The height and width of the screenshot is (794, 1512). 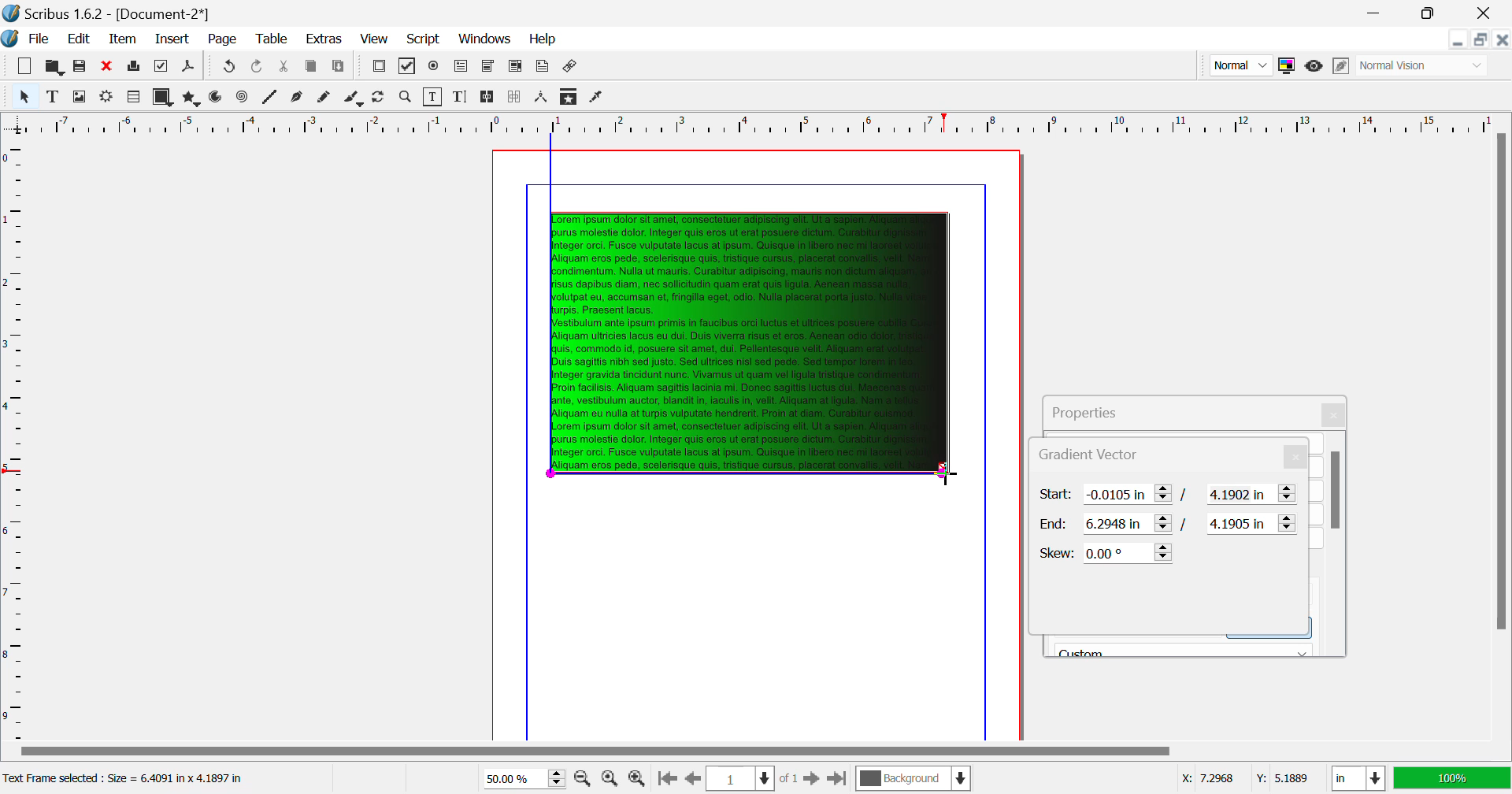 What do you see at coordinates (127, 779) in the screenshot?
I see `Text Frame selected: Size = 6.4091 in x 4.1897 in` at bounding box center [127, 779].